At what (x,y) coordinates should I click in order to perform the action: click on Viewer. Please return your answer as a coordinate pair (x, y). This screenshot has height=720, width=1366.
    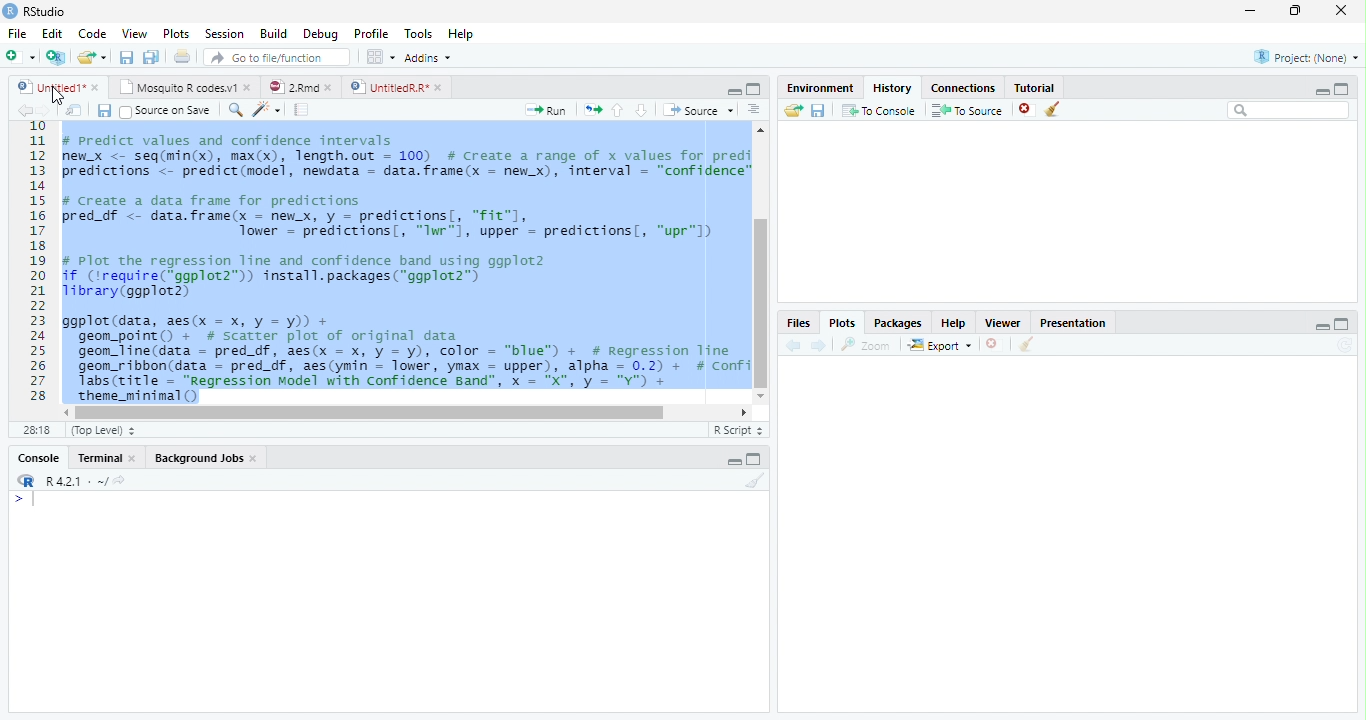
    Looking at the image, I should click on (1004, 325).